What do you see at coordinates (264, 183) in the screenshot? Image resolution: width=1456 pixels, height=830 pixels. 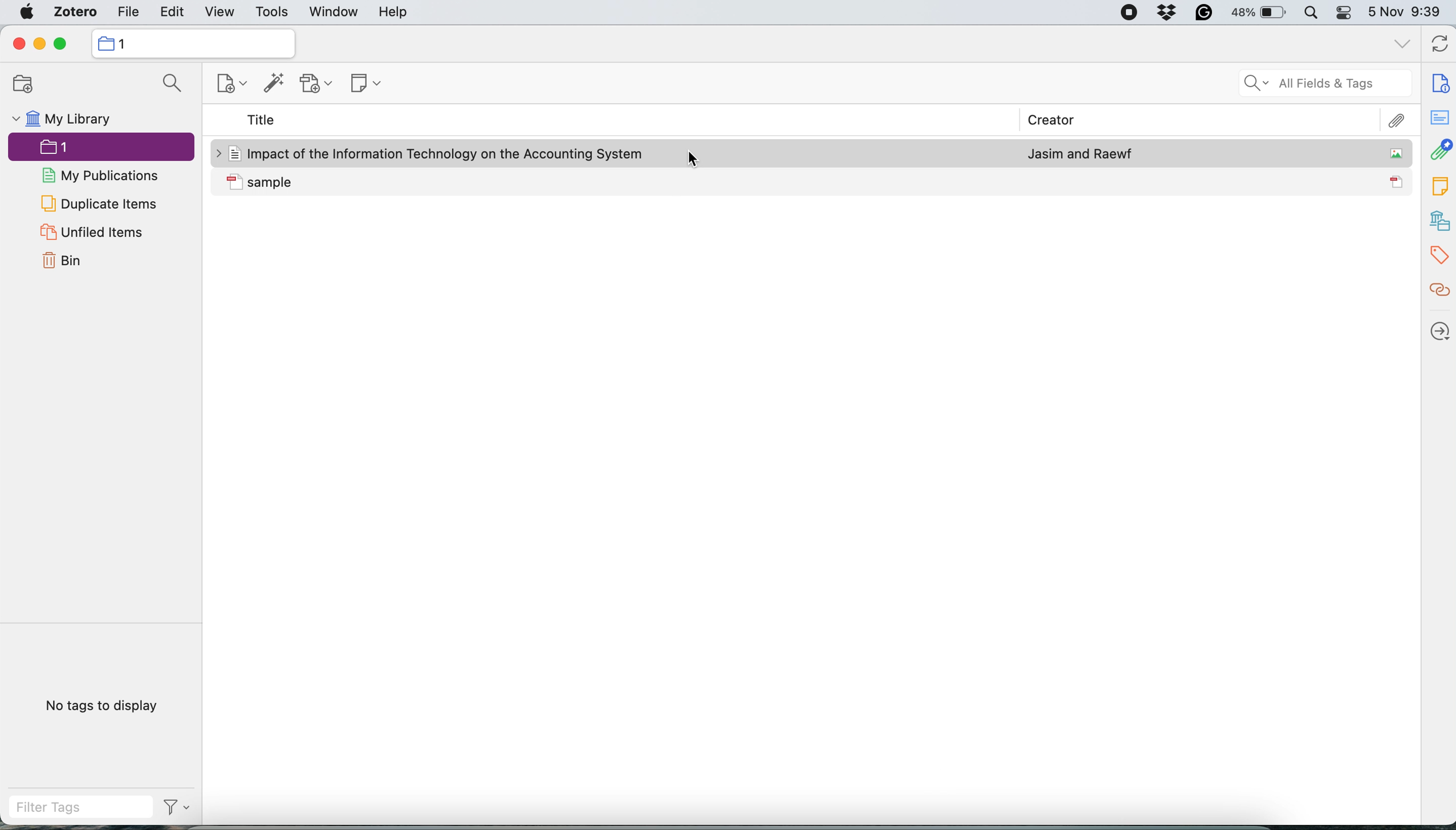 I see `sample` at bounding box center [264, 183].